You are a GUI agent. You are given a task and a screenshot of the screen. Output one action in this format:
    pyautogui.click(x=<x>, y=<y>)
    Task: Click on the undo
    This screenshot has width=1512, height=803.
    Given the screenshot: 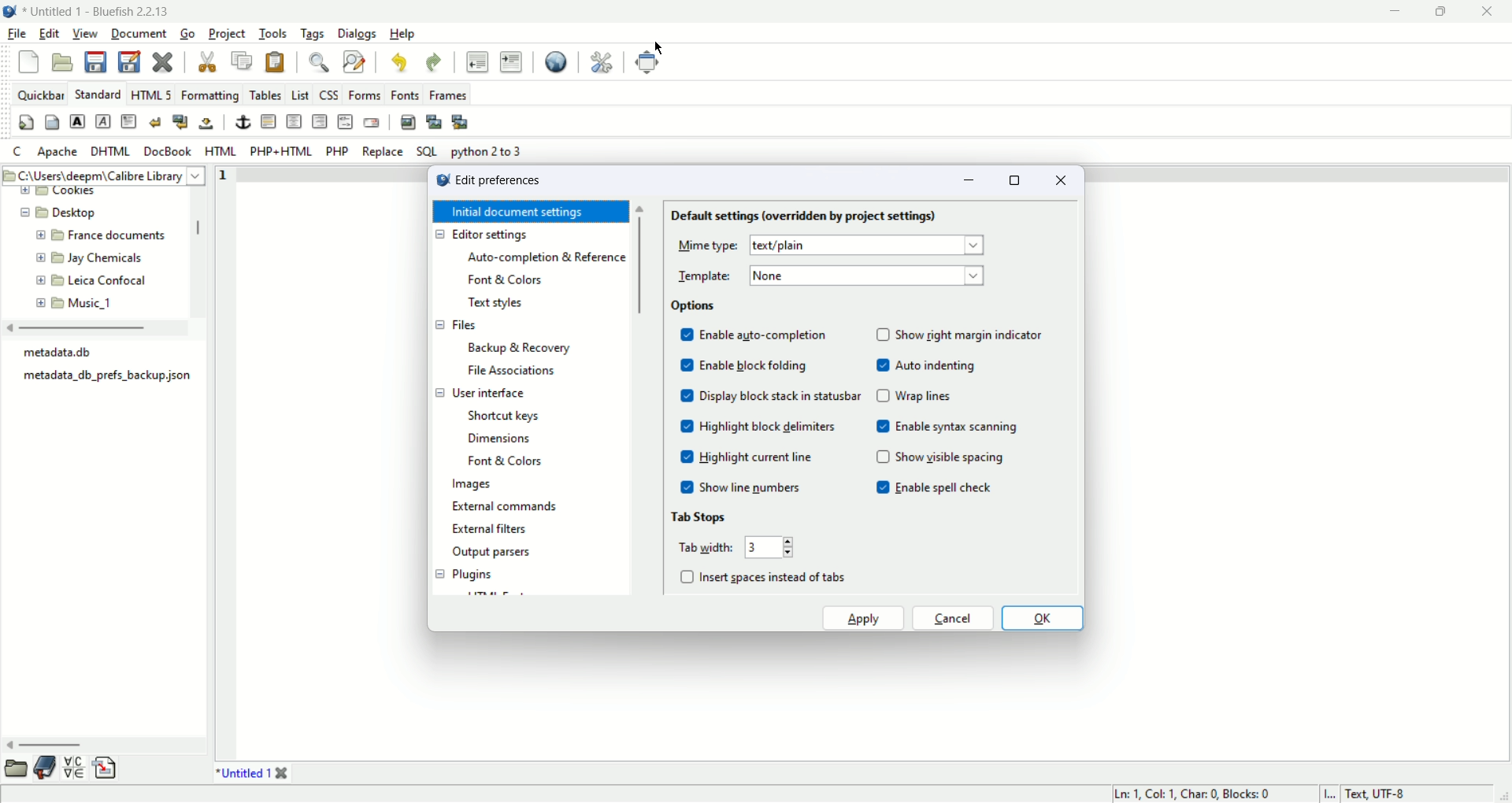 What is the action you would take?
    pyautogui.click(x=434, y=64)
    